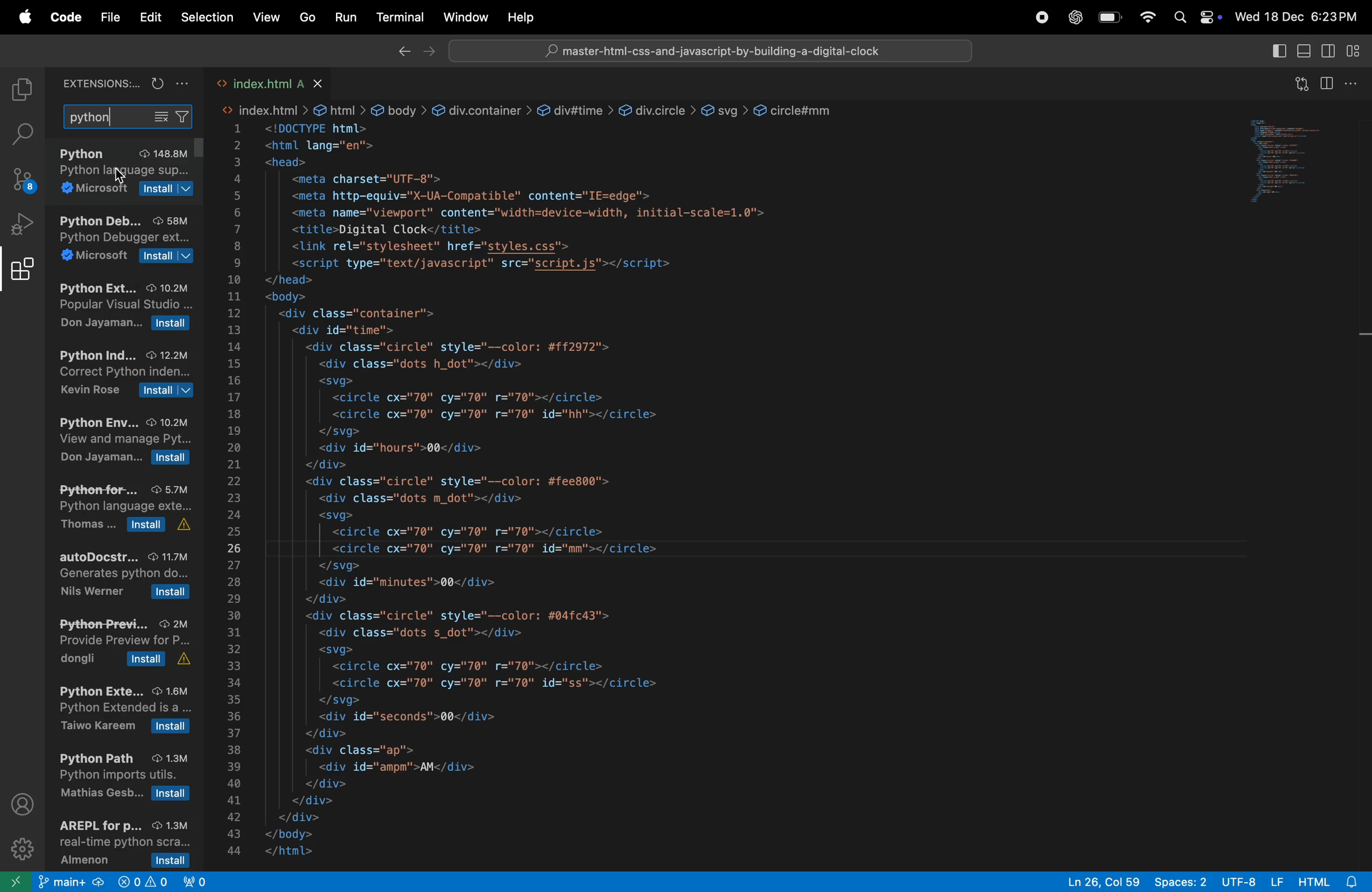 The image size is (1372, 892). I want to click on primary side bar, so click(1279, 51).